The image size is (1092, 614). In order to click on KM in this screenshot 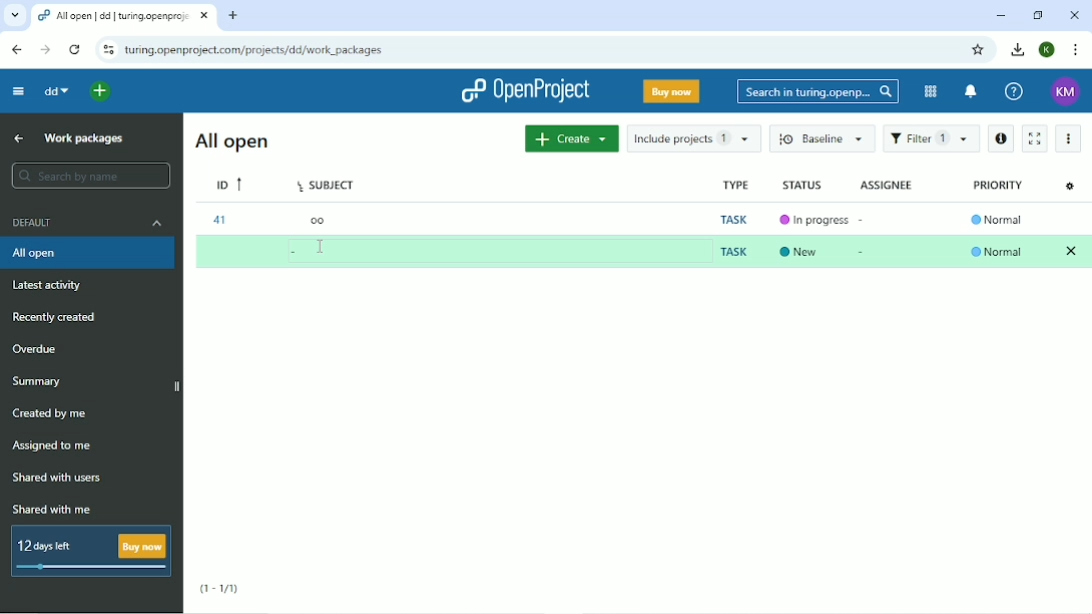, I will do `click(1064, 91)`.